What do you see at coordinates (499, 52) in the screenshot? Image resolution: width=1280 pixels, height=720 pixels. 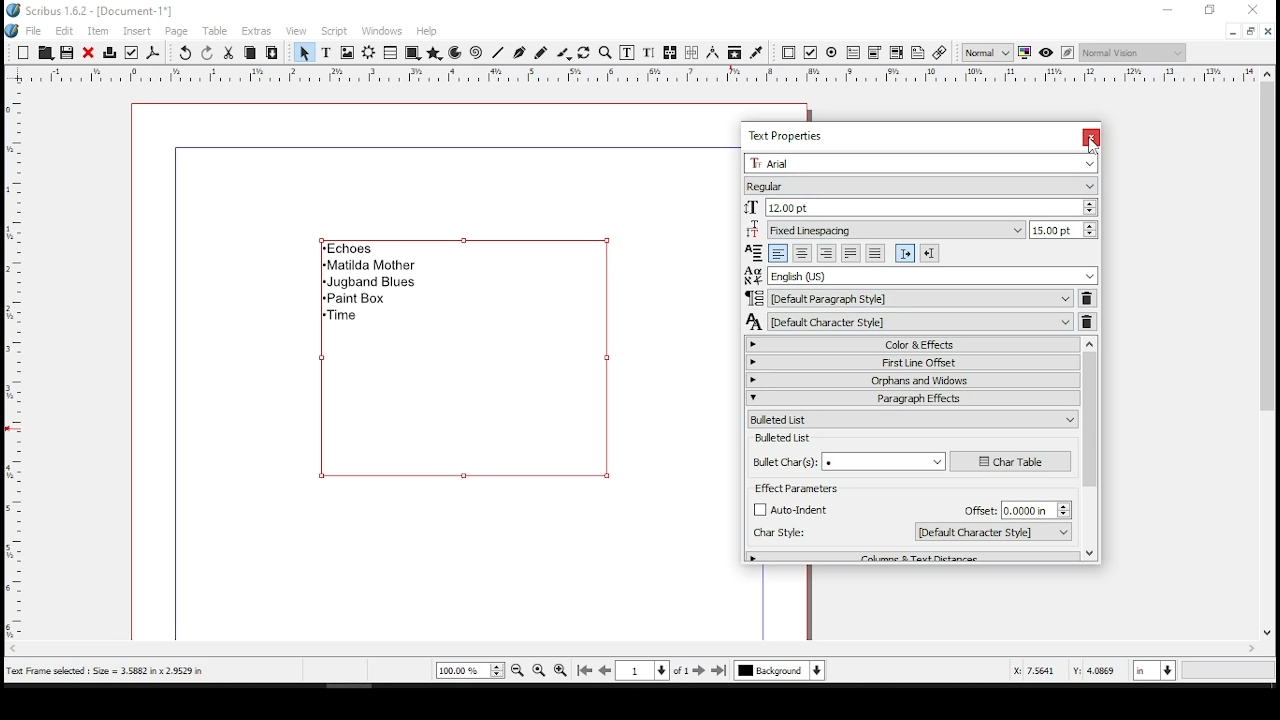 I see `line` at bounding box center [499, 52].